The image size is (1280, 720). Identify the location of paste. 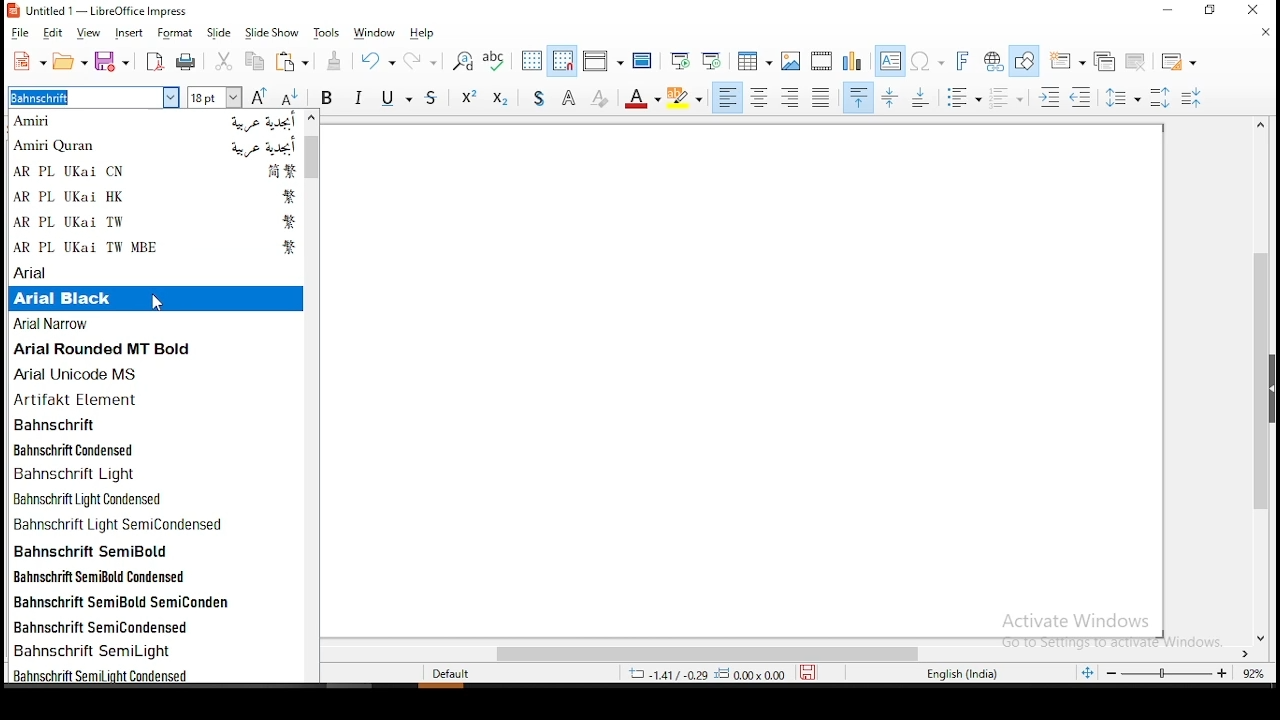
(298, 63).